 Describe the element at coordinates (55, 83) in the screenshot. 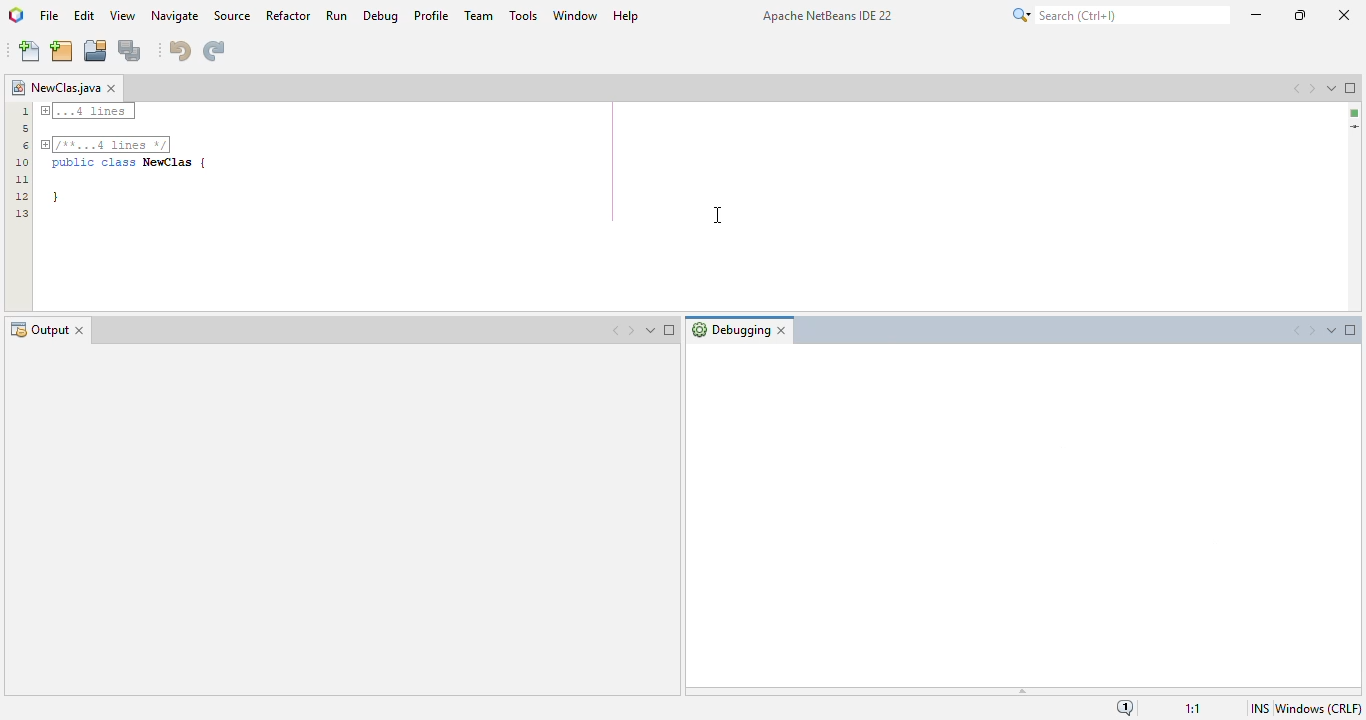

I see `NewClass.java` at that location.